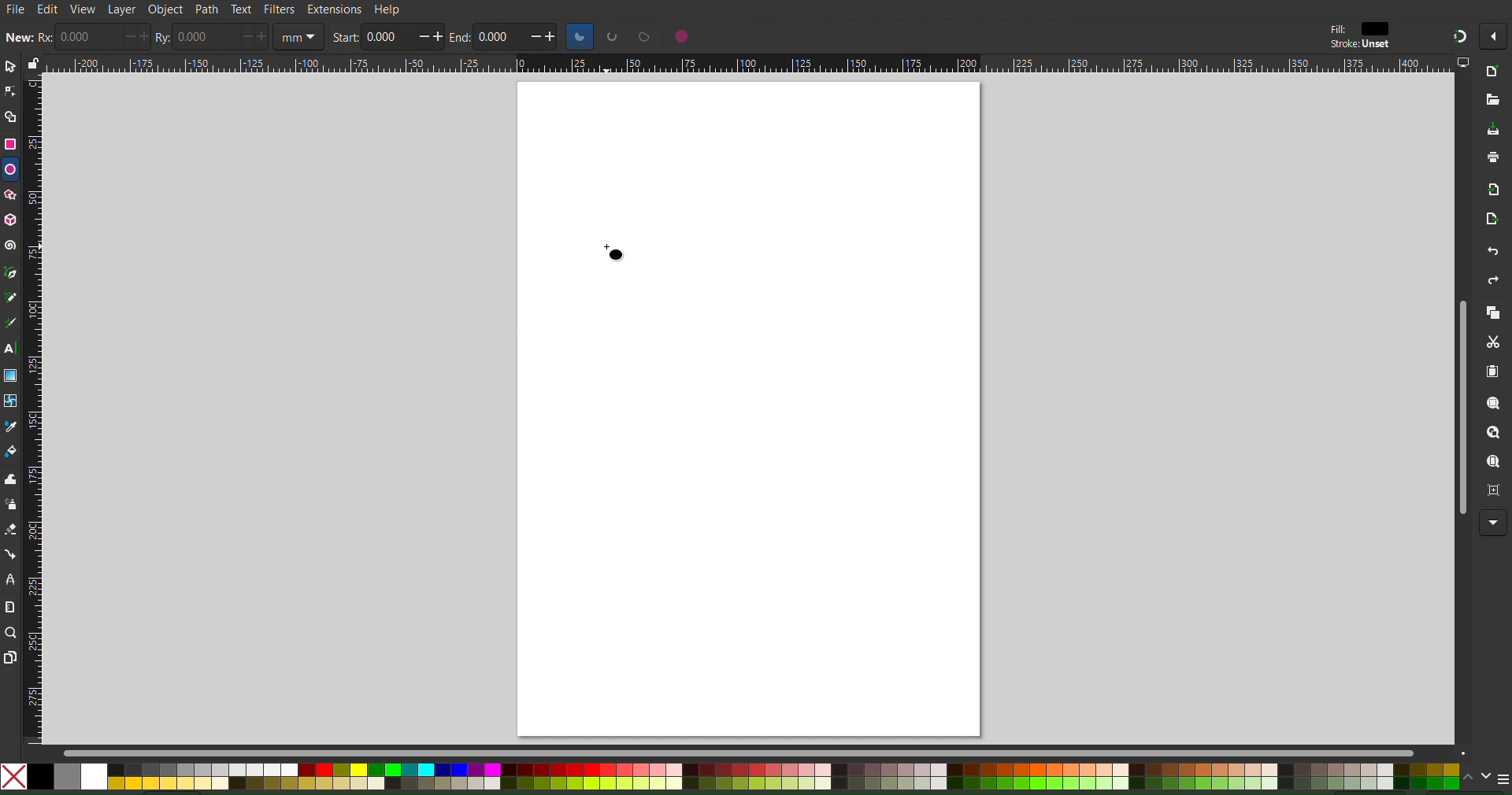 Image resolution: width=1512 pixels, height=795 pixels. What do you see at coordinates (11, 66) in the screenshot?
I see `Select` at bounding box center [11, 66].